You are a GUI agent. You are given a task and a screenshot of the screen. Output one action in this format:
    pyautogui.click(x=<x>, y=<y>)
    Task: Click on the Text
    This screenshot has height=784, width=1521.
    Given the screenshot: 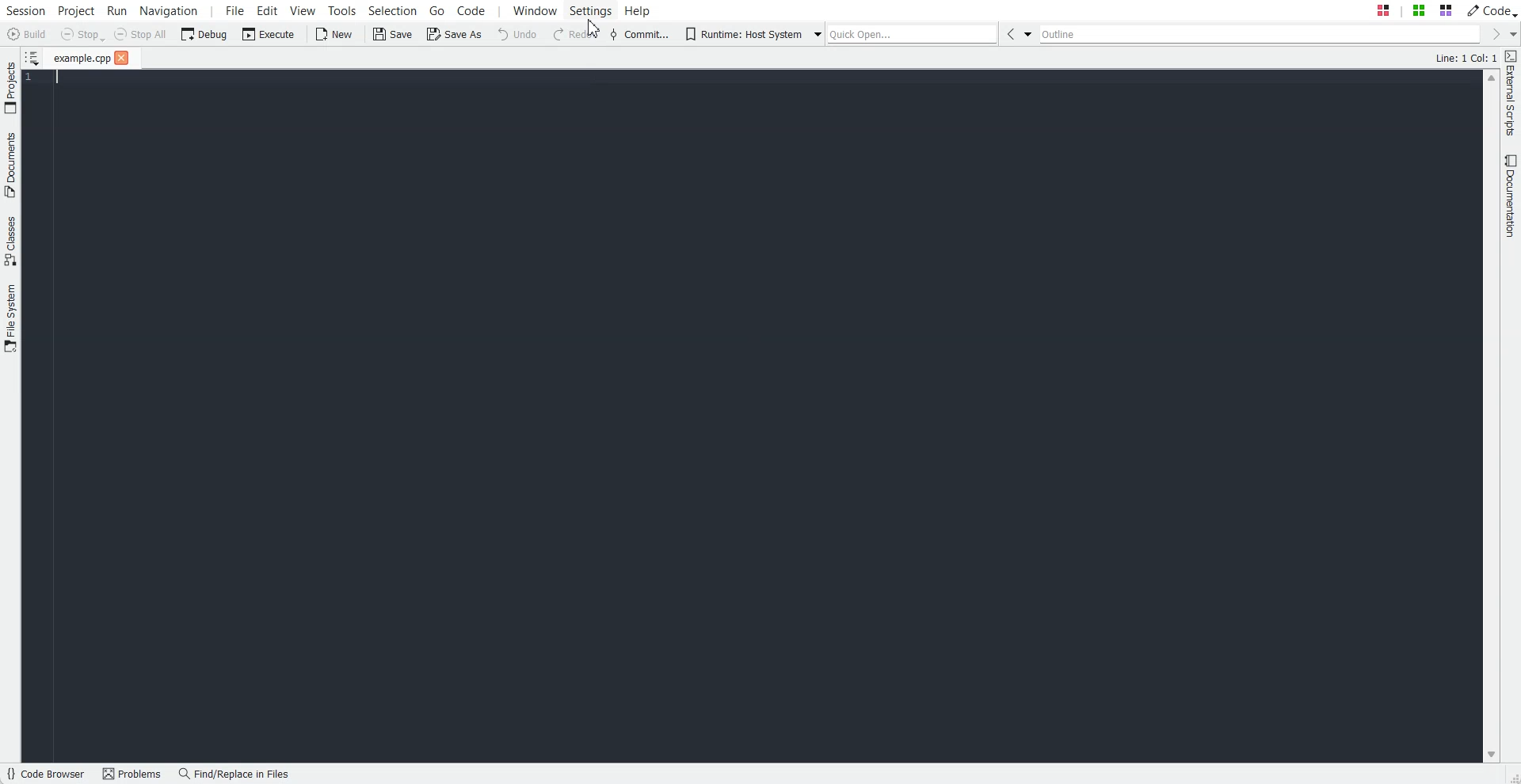 What is the action you would take?
    pyautogui.click(x=1466, y=57)
    